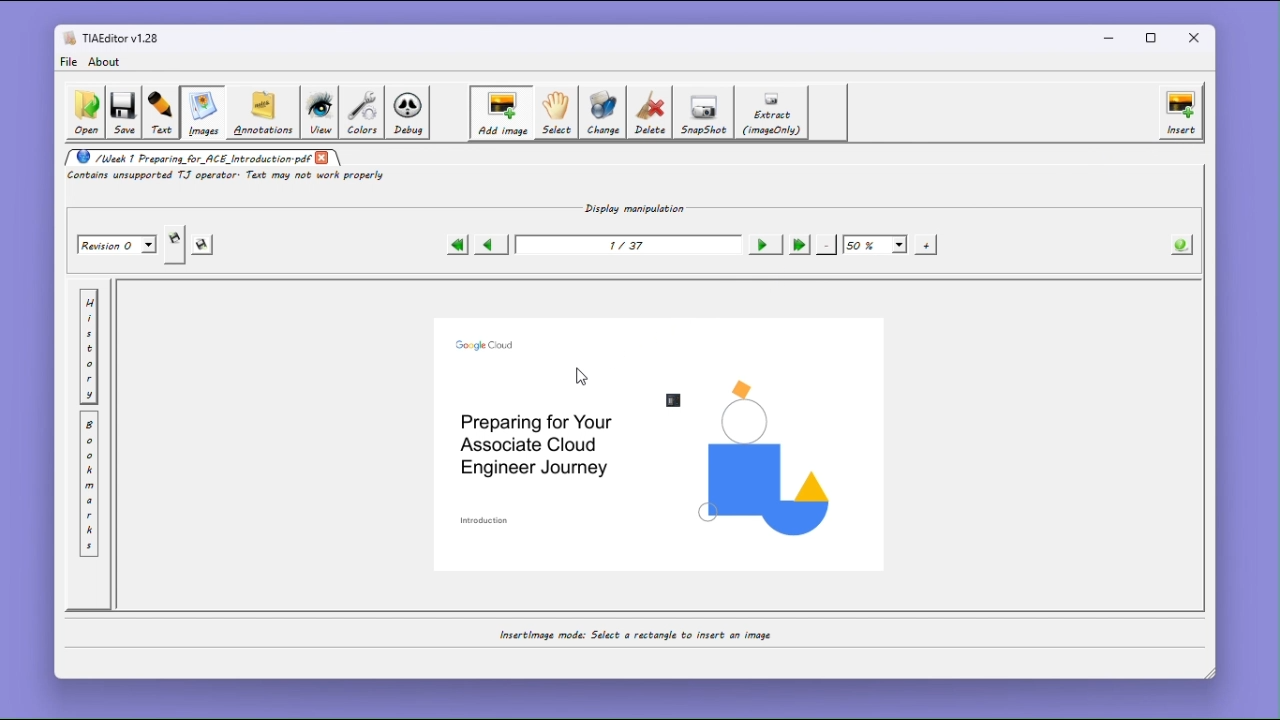  Describe the element at coordinates (1183, 243) in the screenshot. I see `The information About the PDF opened` at that location.